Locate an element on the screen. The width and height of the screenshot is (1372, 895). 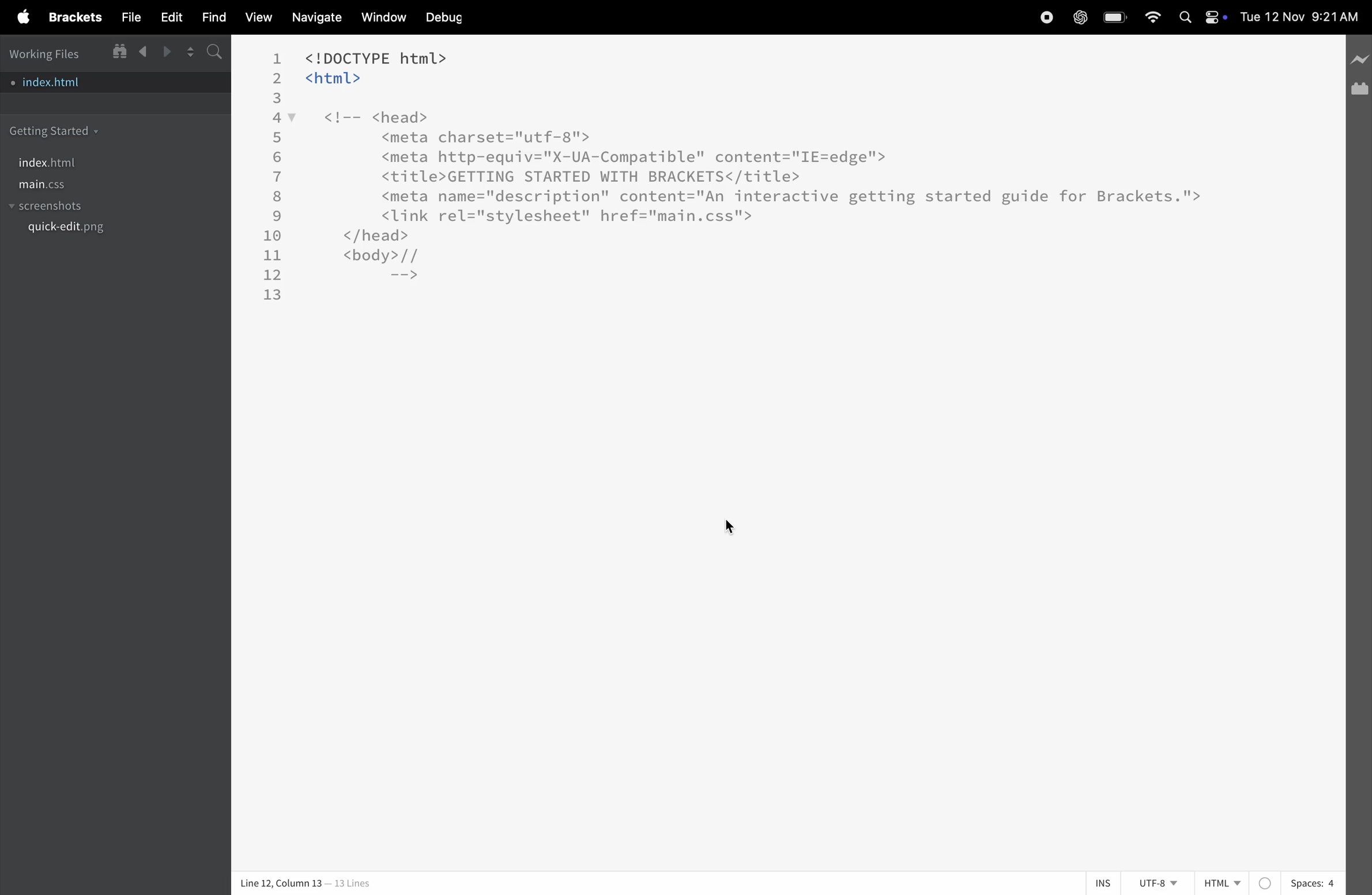
view is located at coordinates (255, 18).